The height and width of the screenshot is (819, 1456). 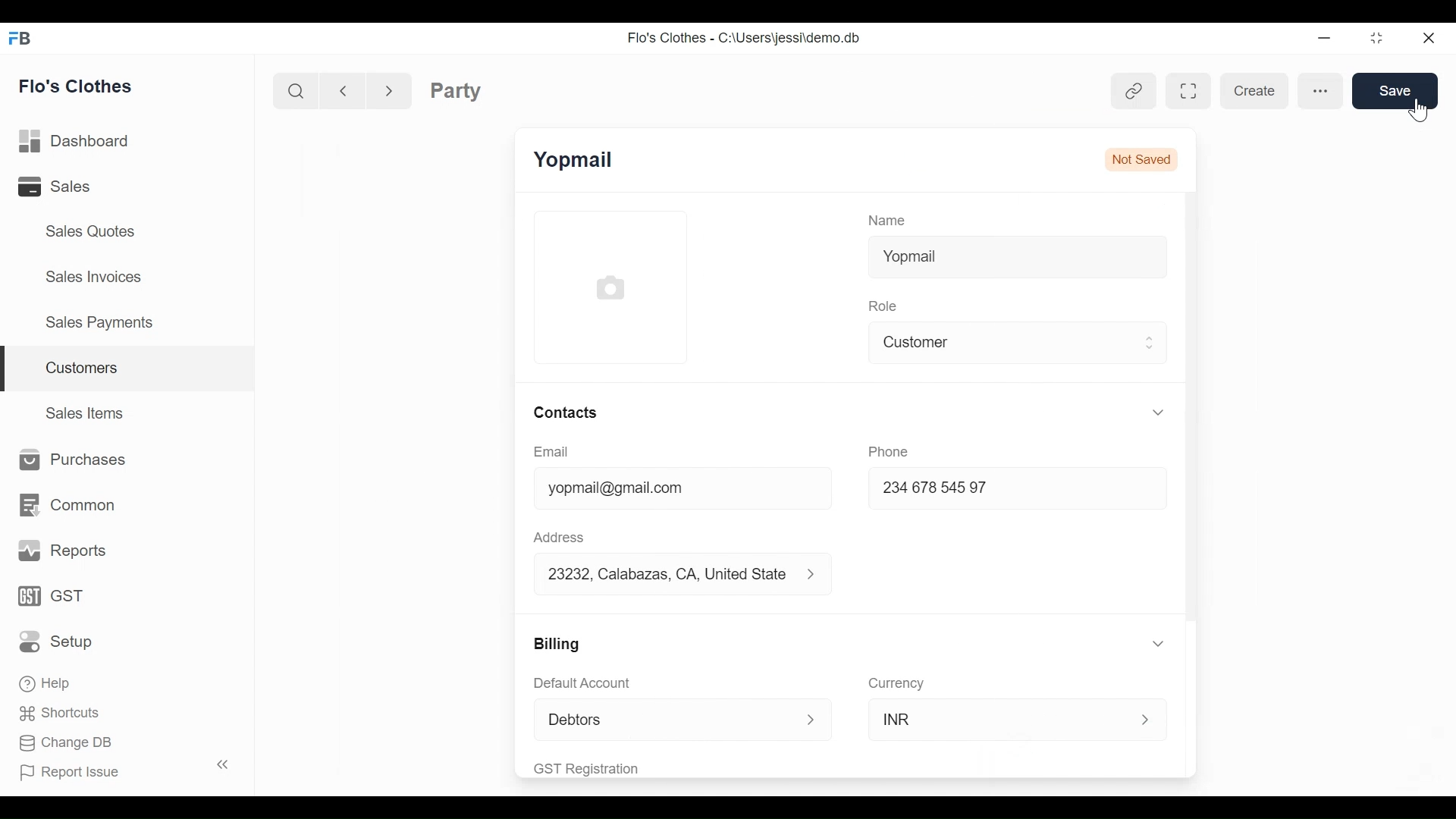 I want to click on Help, so click(x=47, y=681).